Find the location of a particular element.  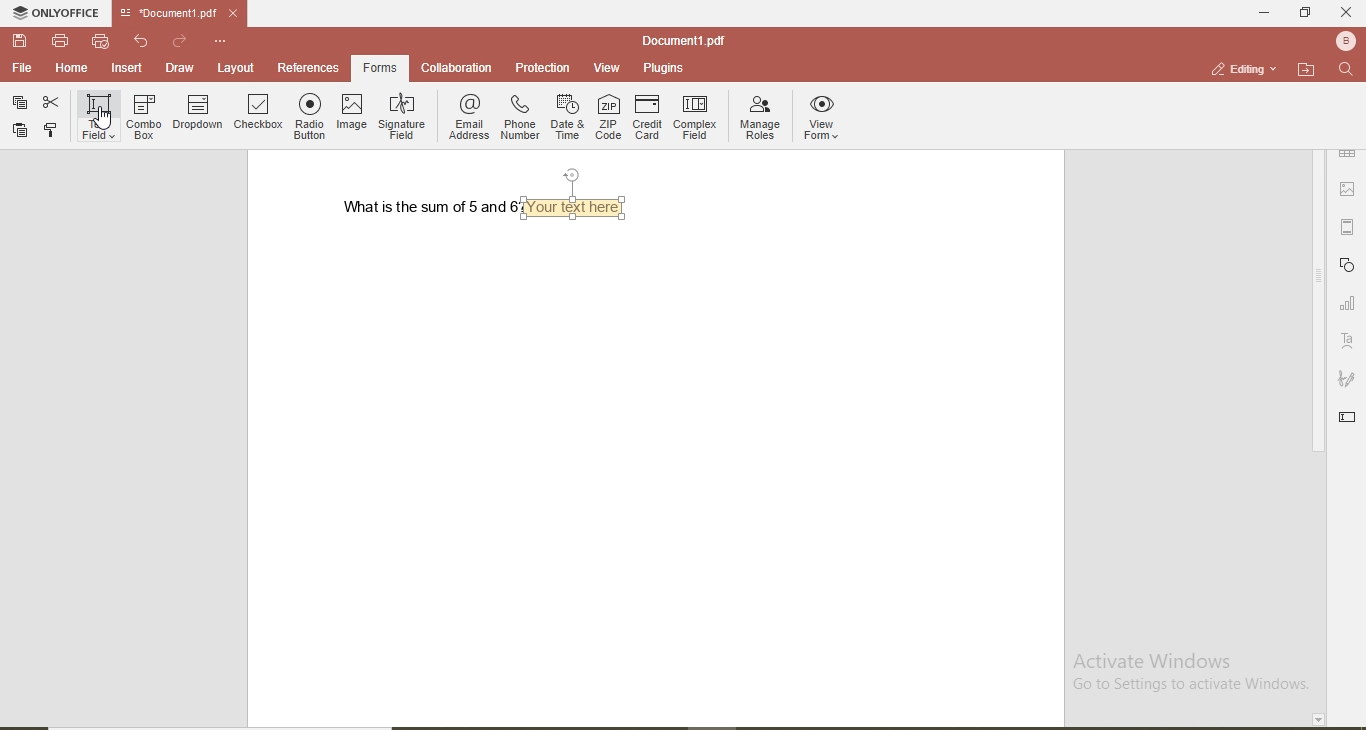

file name is located at coordinates (682, 37).